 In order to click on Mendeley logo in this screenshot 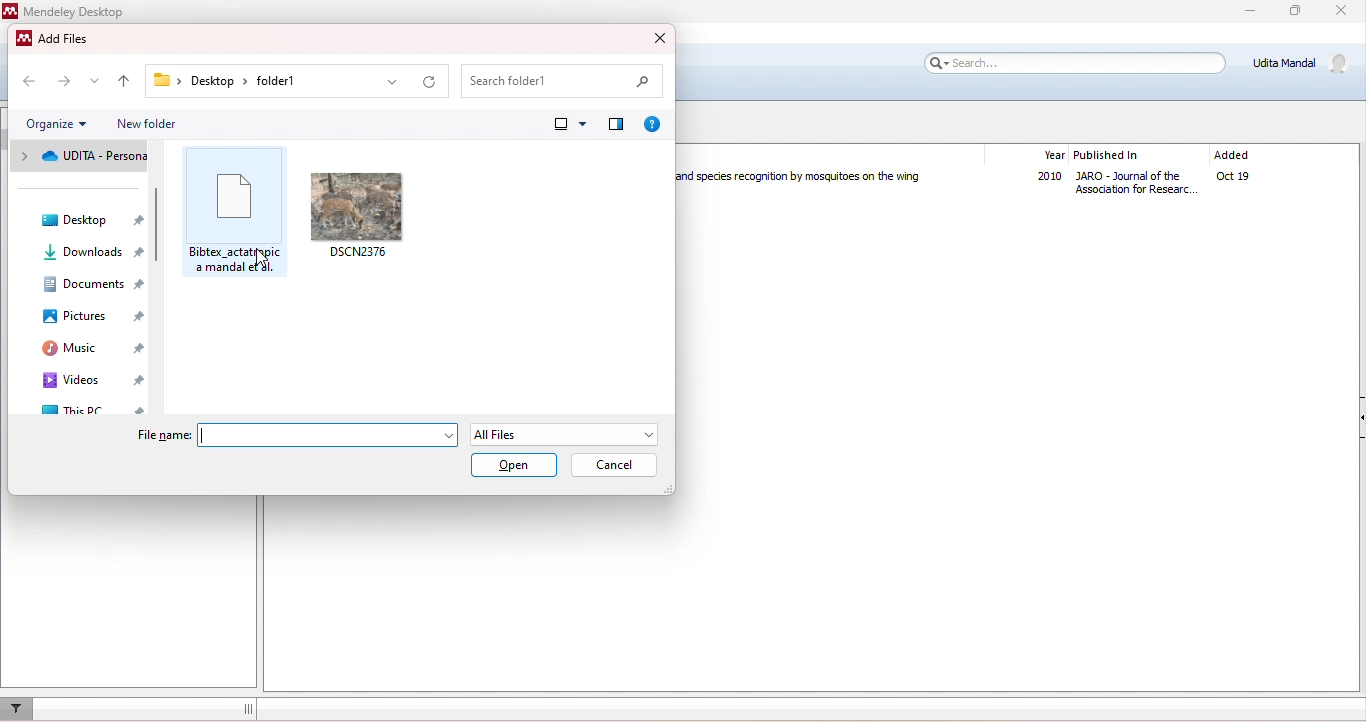, I will do `click(24, 38)`.